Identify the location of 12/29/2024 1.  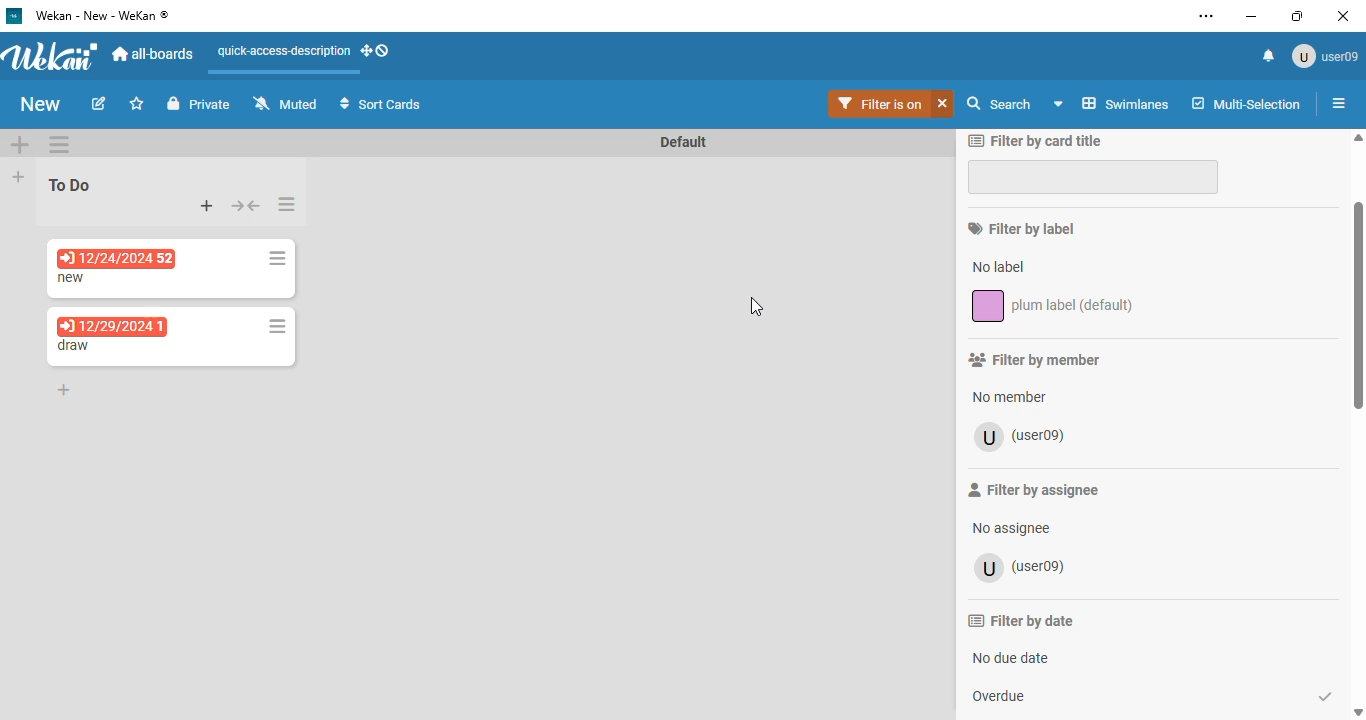
(111, 324).